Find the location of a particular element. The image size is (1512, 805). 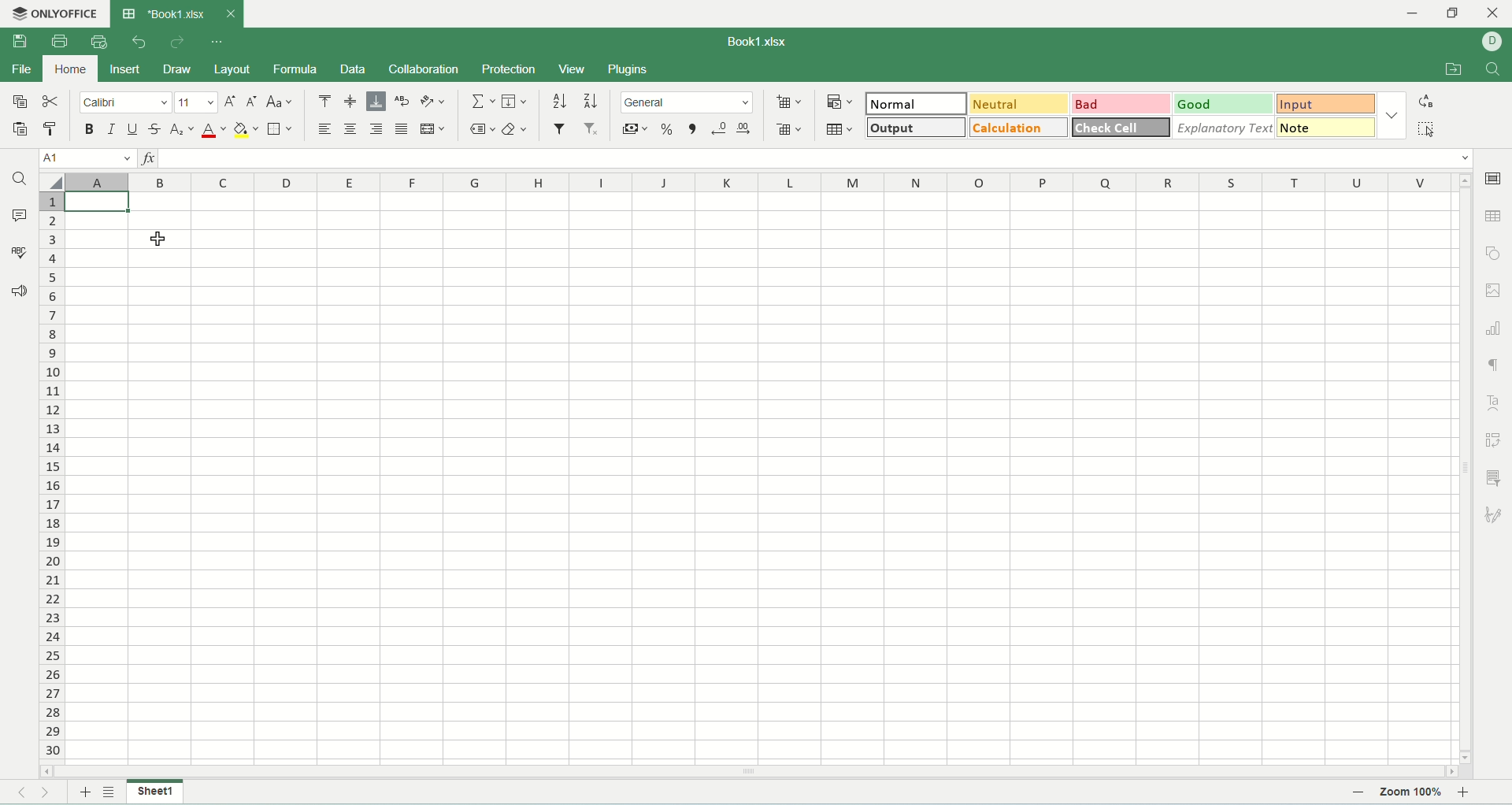

neutral is located at coordinates (1022, 105).